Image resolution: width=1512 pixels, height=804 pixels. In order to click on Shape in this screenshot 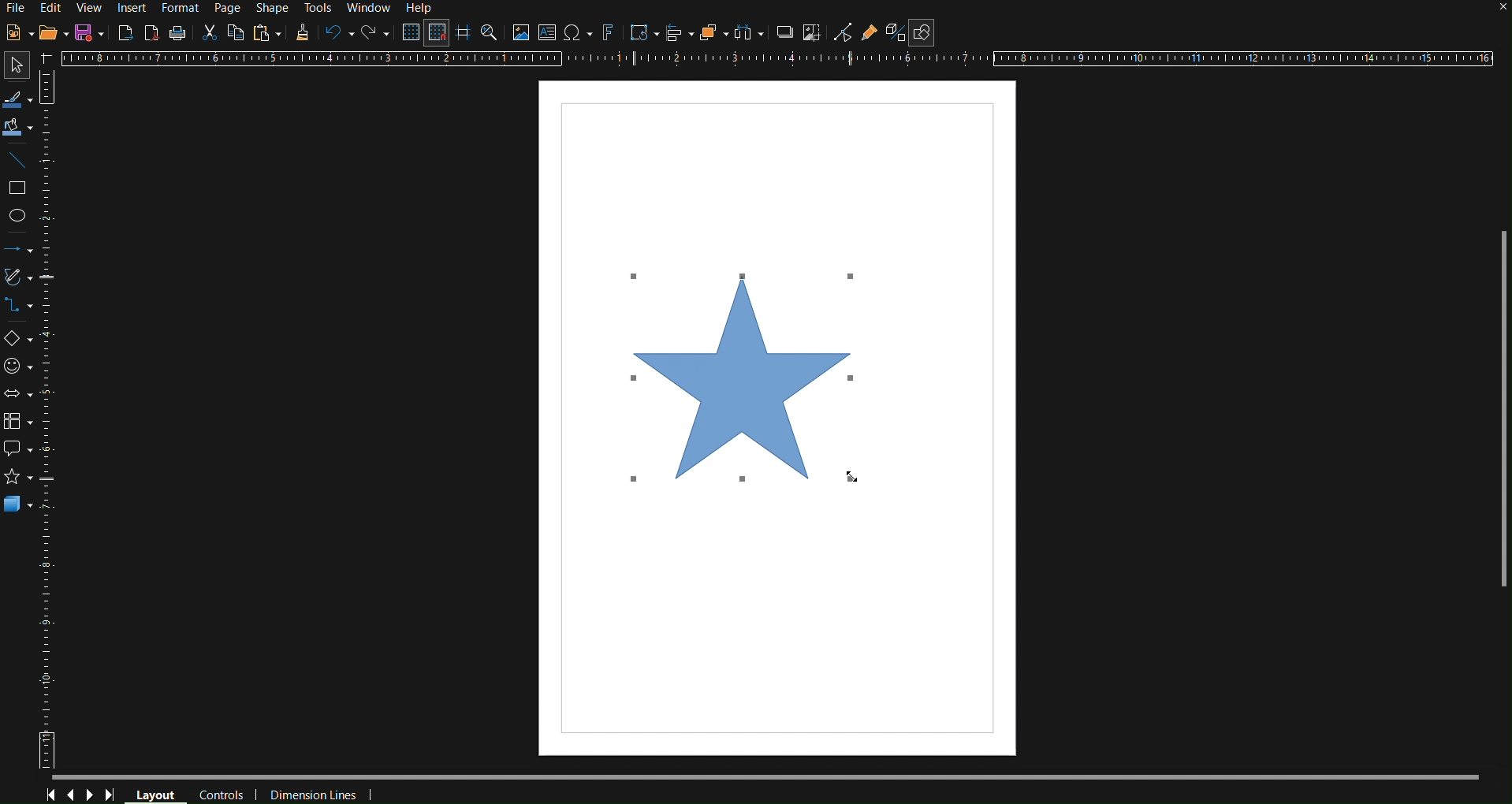, I will do `click(267, 7)`.